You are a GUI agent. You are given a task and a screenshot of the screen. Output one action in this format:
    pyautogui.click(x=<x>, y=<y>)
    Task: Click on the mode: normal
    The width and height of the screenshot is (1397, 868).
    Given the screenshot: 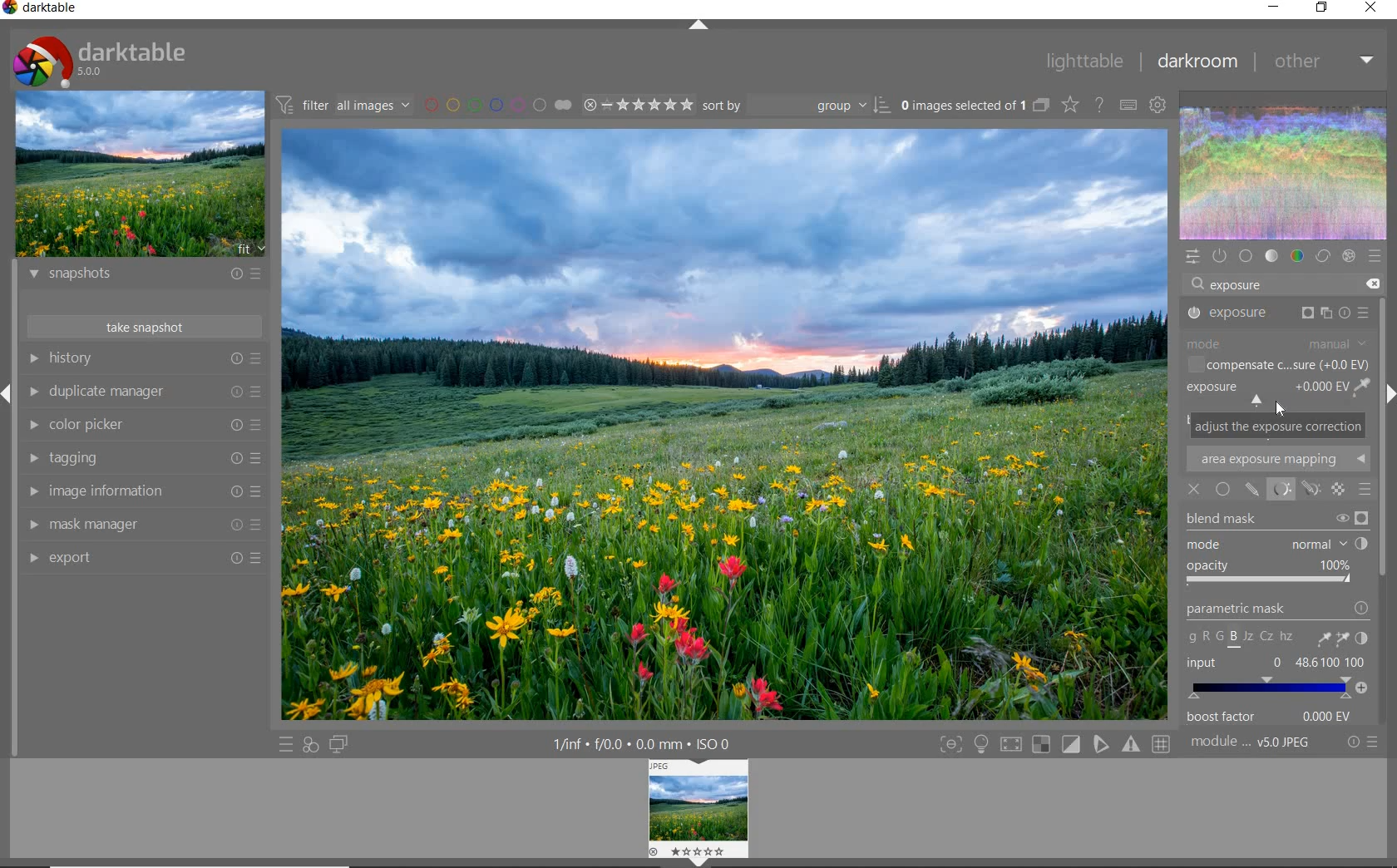 What is the action you would take?
    pyautogui.click(x=1276, y=545)
    